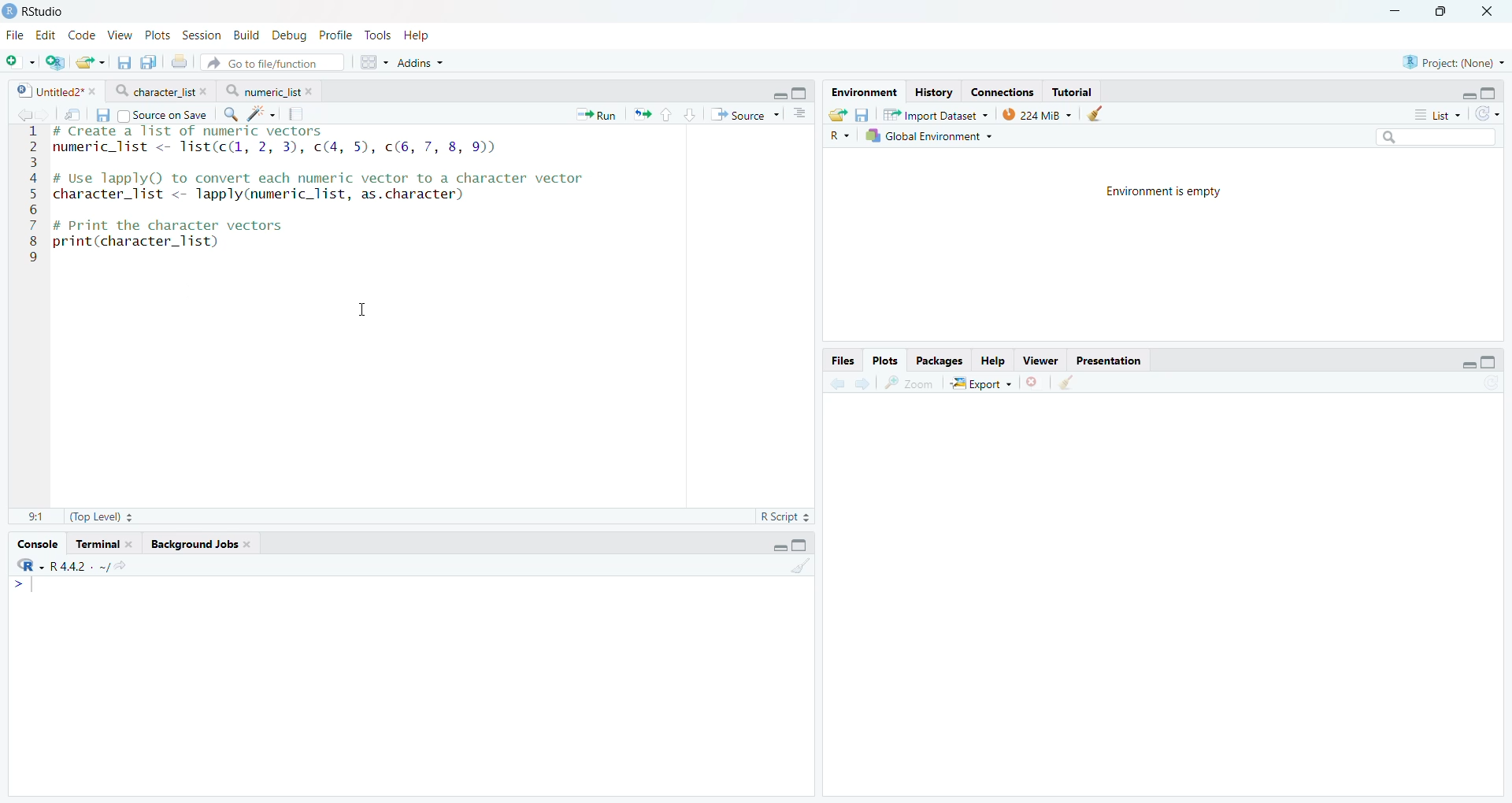  What do you see at coordinates (272, 62) in the screenshot?
I see `Go to file/function` at bounding box center [272, 62].